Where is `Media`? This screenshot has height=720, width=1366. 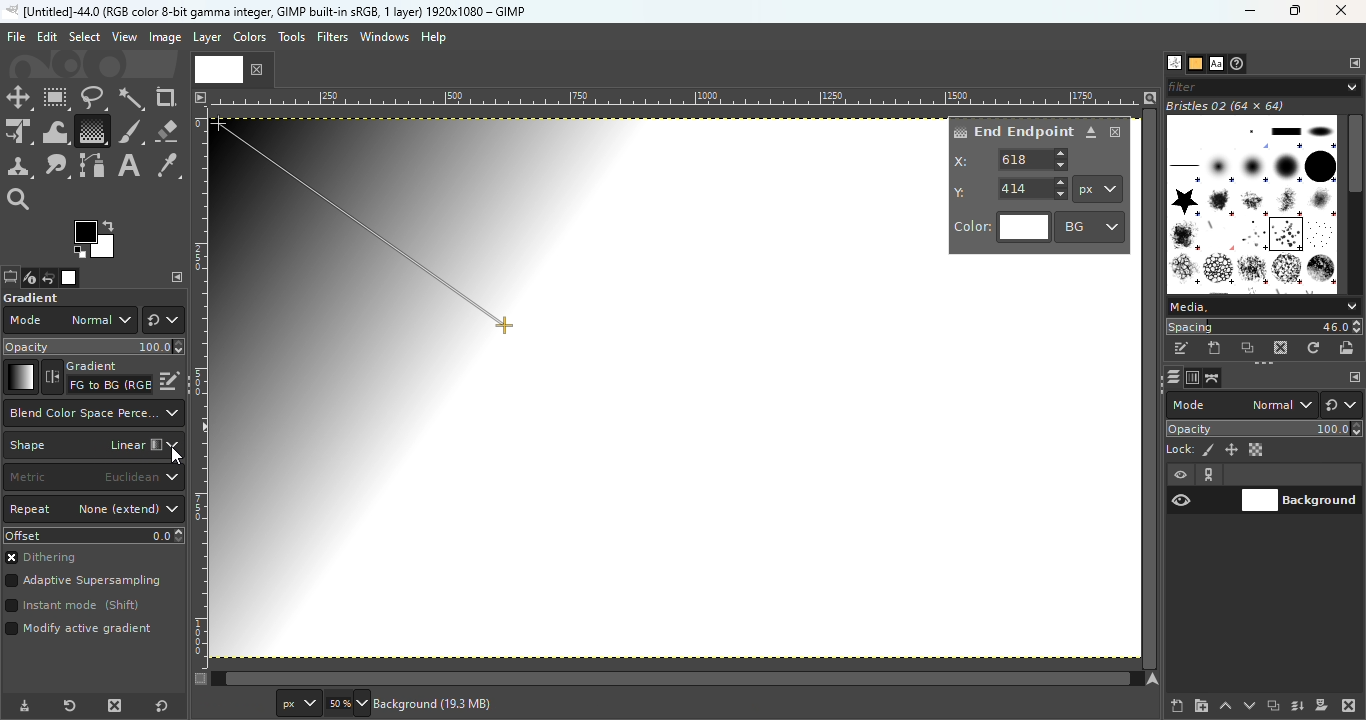 Media is located at coordinates (1262, 307).